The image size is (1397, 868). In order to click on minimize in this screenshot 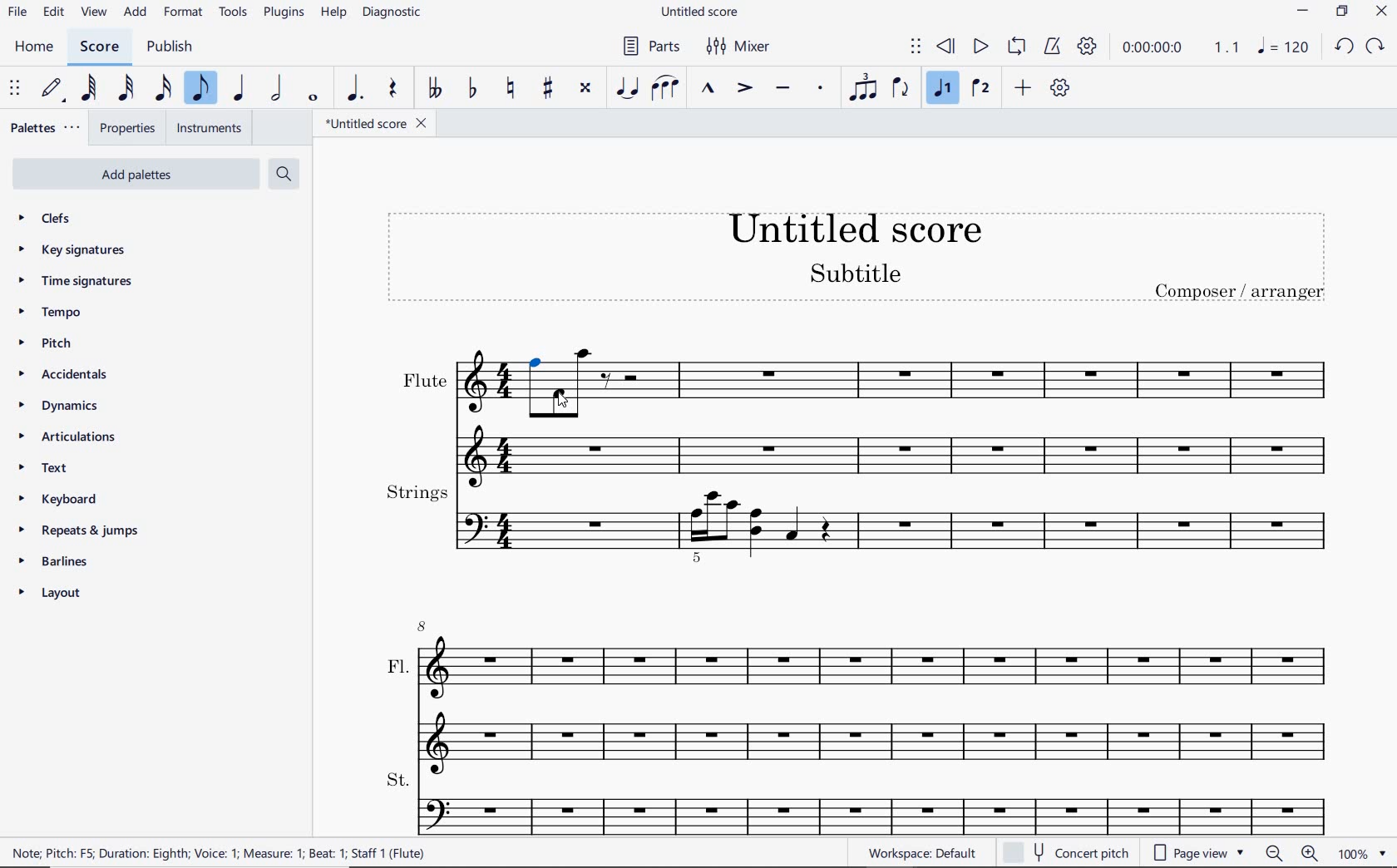, I will do `click(1302, 11)`.